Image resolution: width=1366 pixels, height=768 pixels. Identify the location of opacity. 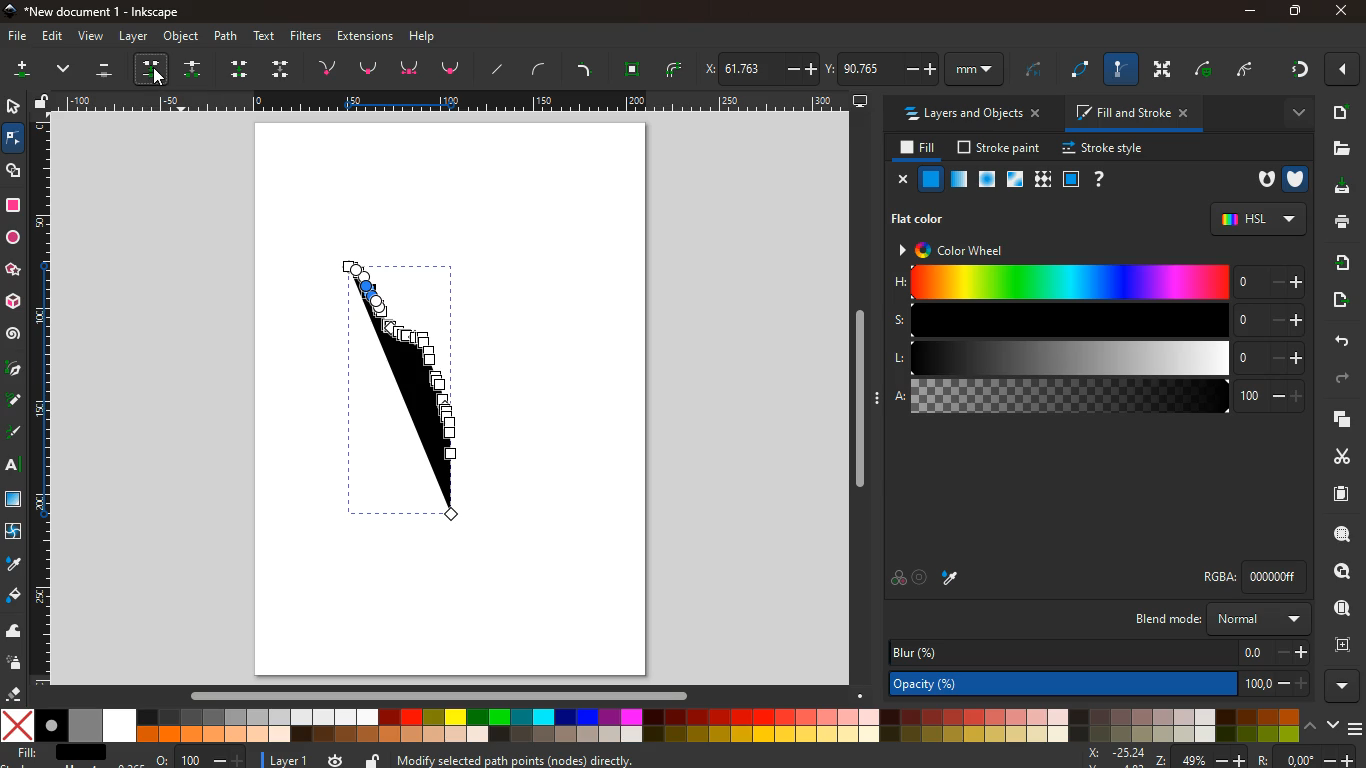
(960, 180).